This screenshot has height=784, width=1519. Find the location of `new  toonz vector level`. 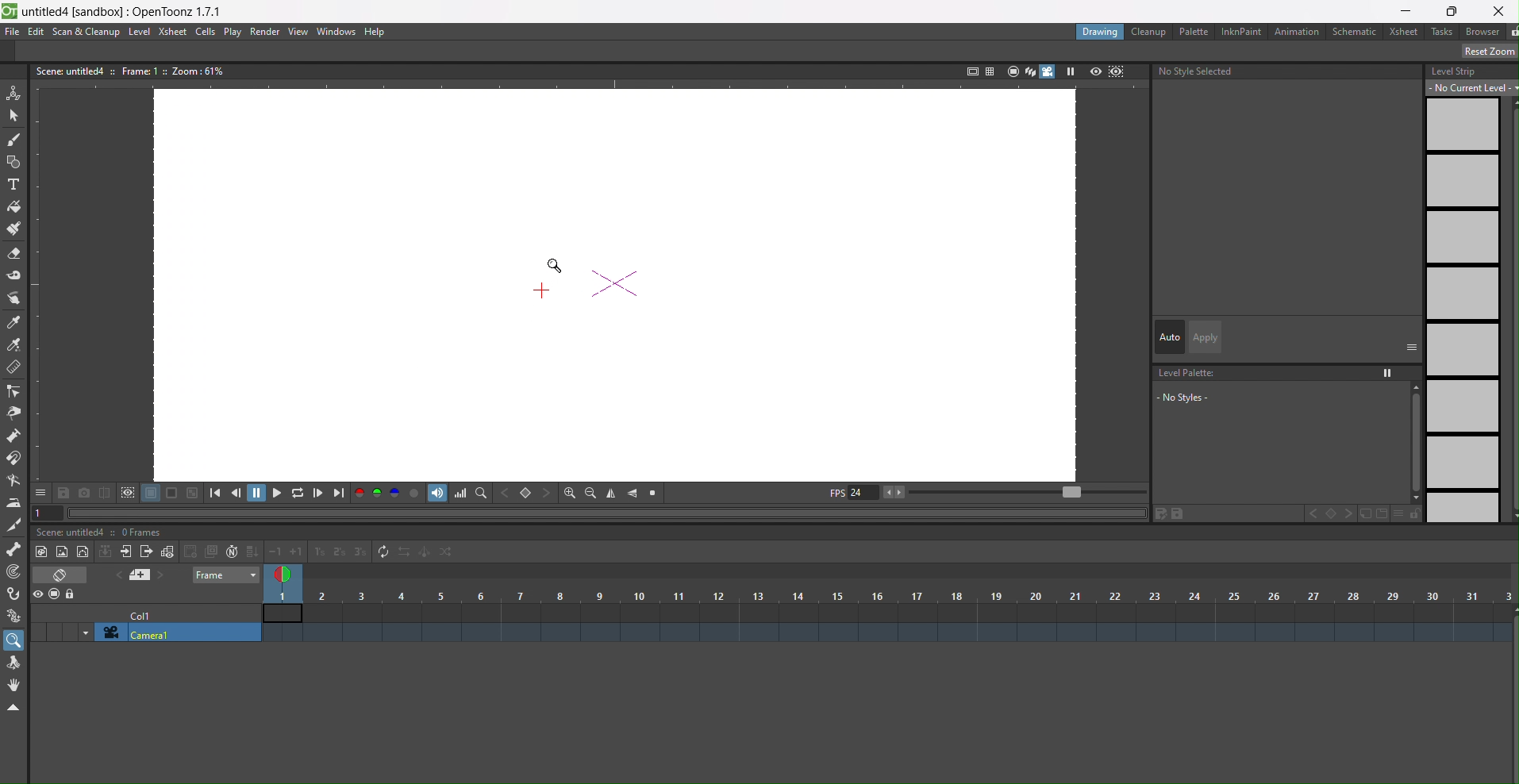

new  toonz vector level is located at coordinates (62, 551).